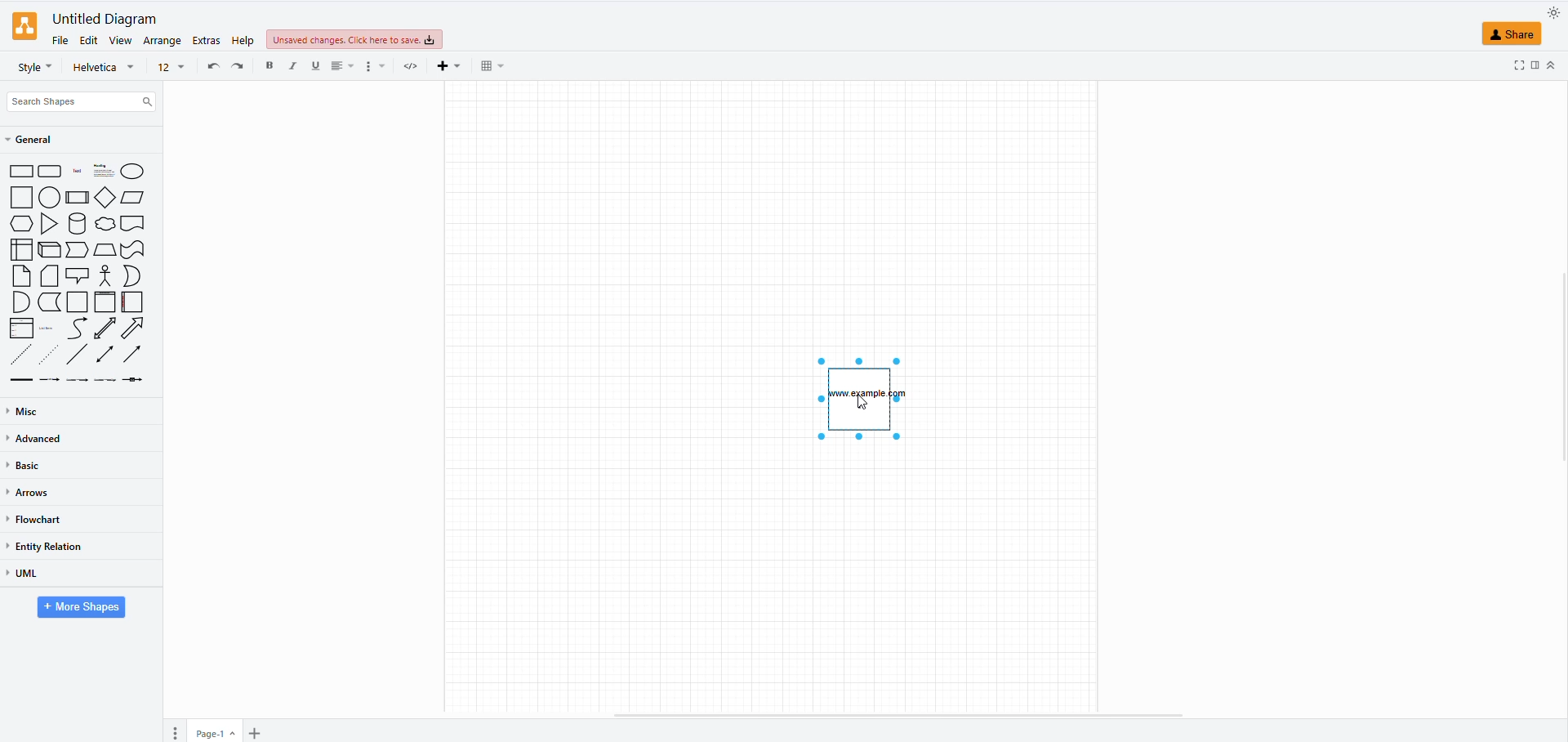 This screenshot has width=1568, height=742. I want to click on triangle, so click(51, 226).